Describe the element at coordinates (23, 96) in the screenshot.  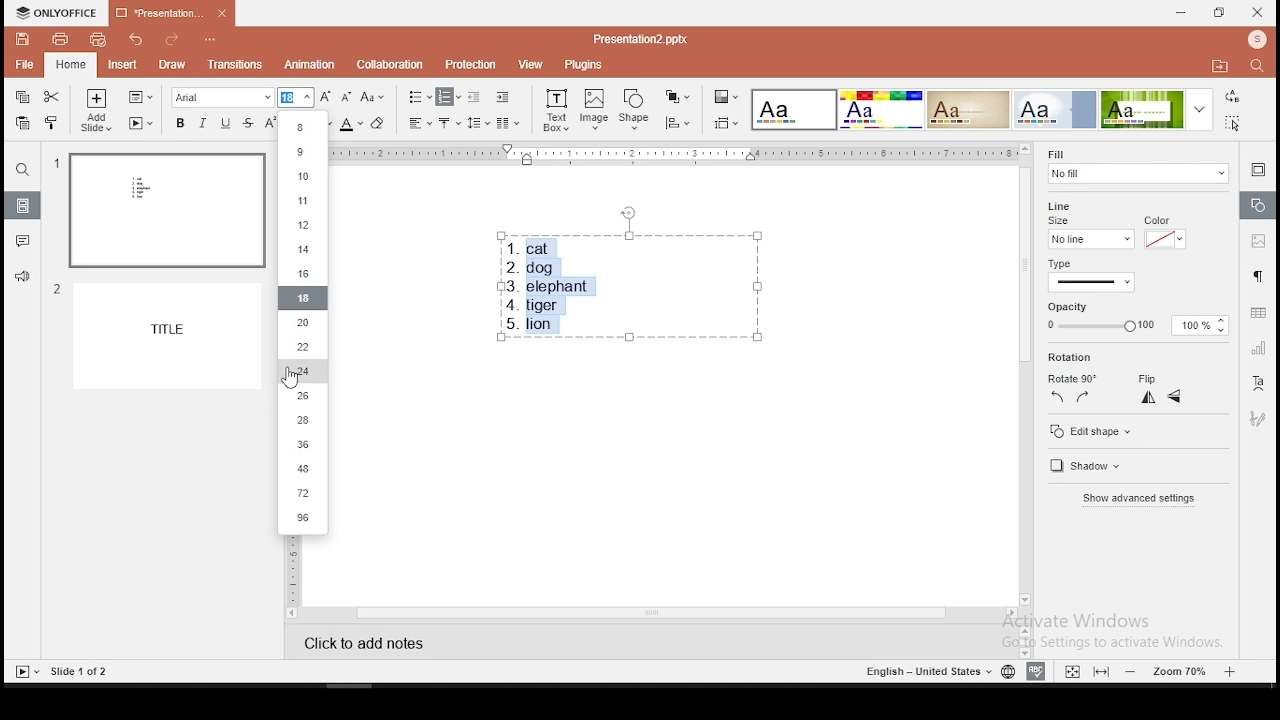
I see `copy` at that location.